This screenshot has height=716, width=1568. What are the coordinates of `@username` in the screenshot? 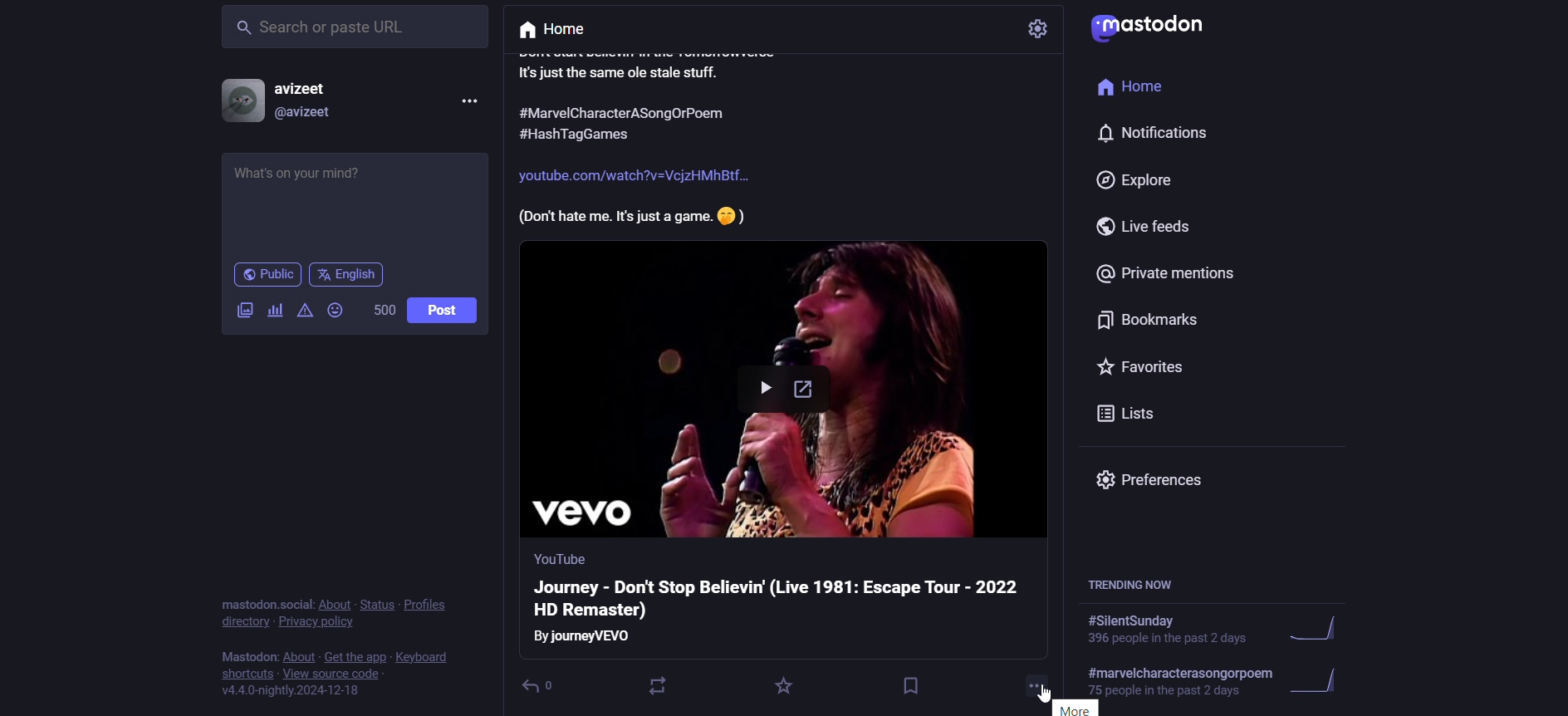 It's located at (304, 116).